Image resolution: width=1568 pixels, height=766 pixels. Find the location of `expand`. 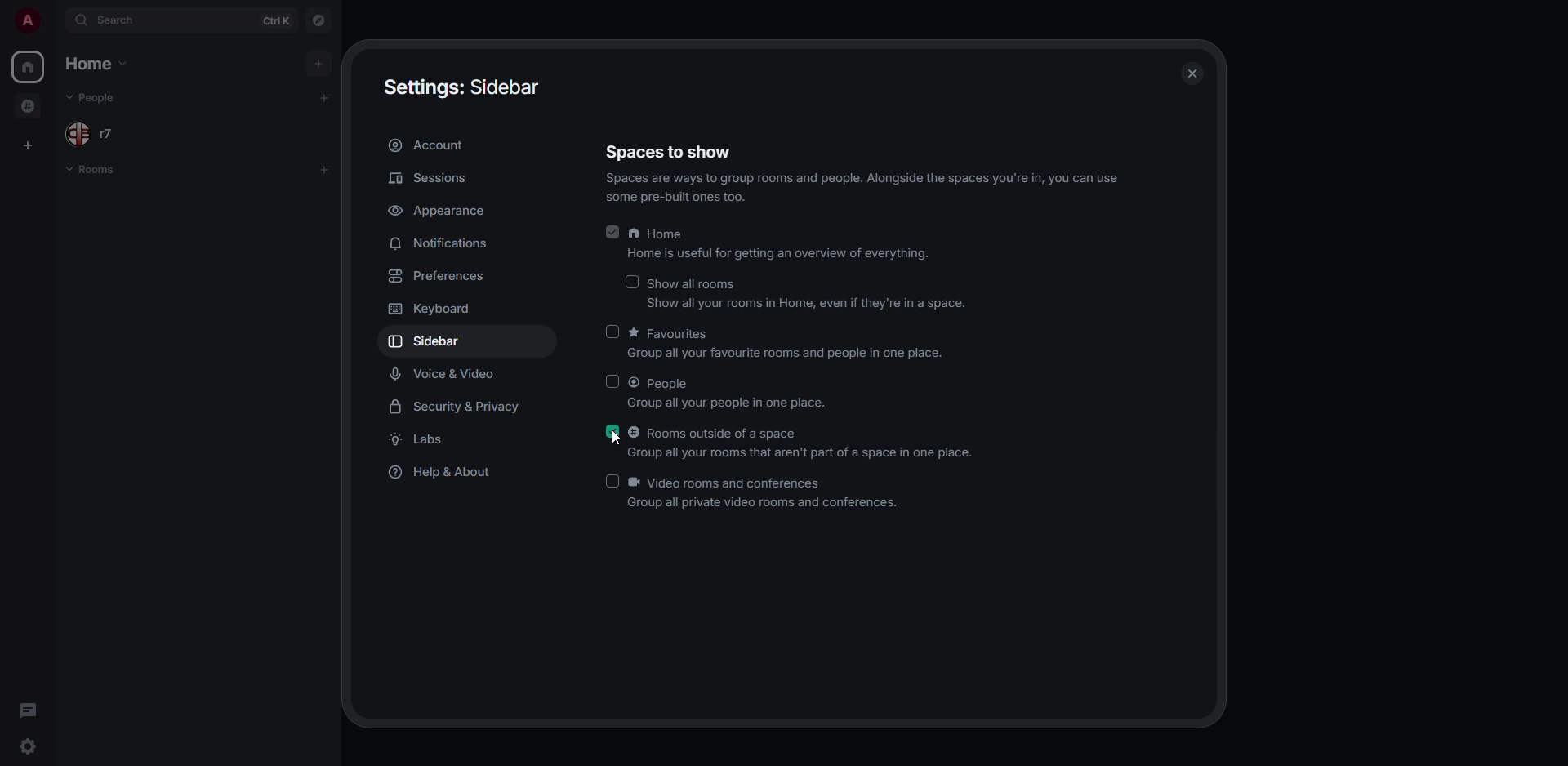

expand is located at coordinates (56, 22).